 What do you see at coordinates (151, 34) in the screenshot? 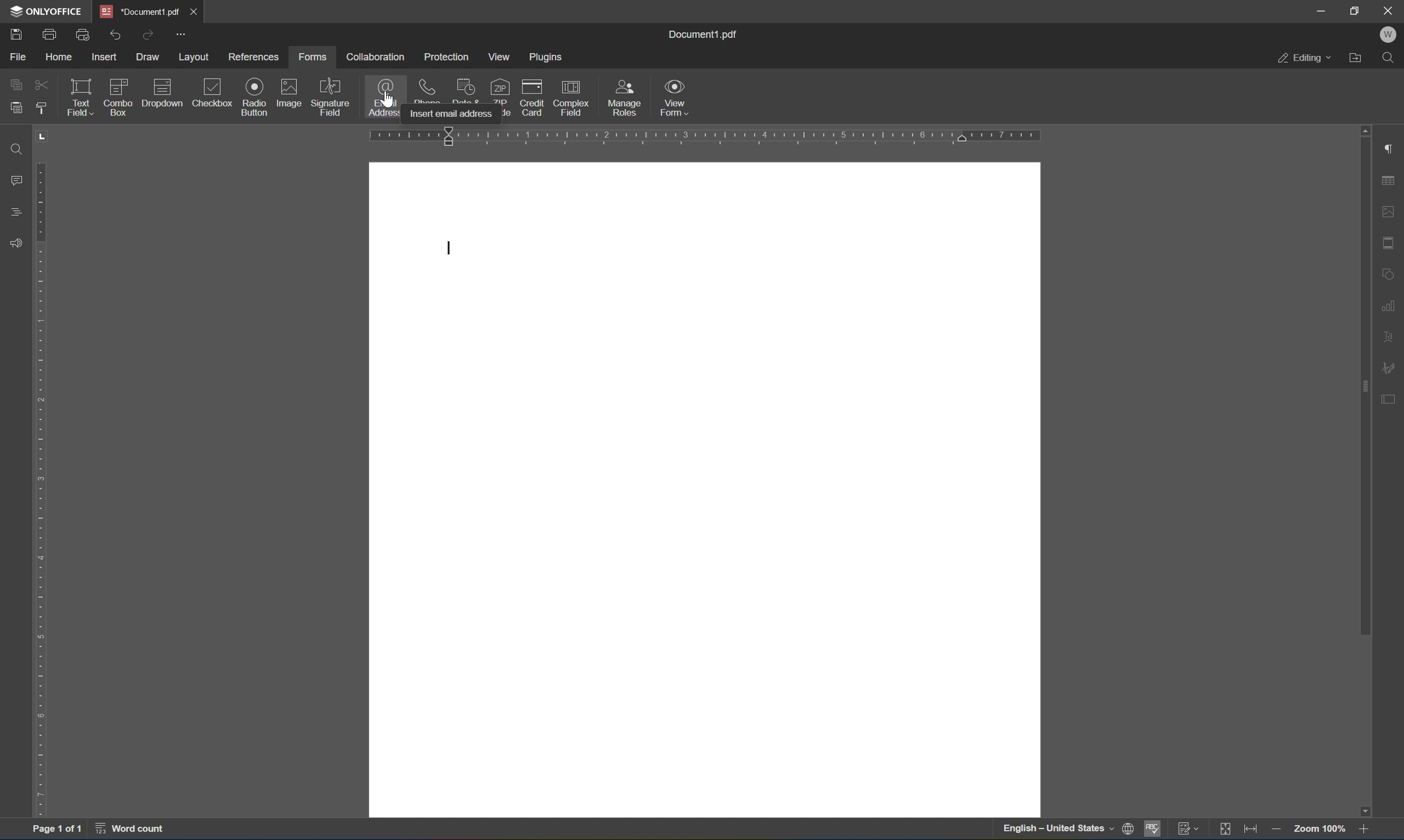
I see `redo` at bounding box center [151, 34].